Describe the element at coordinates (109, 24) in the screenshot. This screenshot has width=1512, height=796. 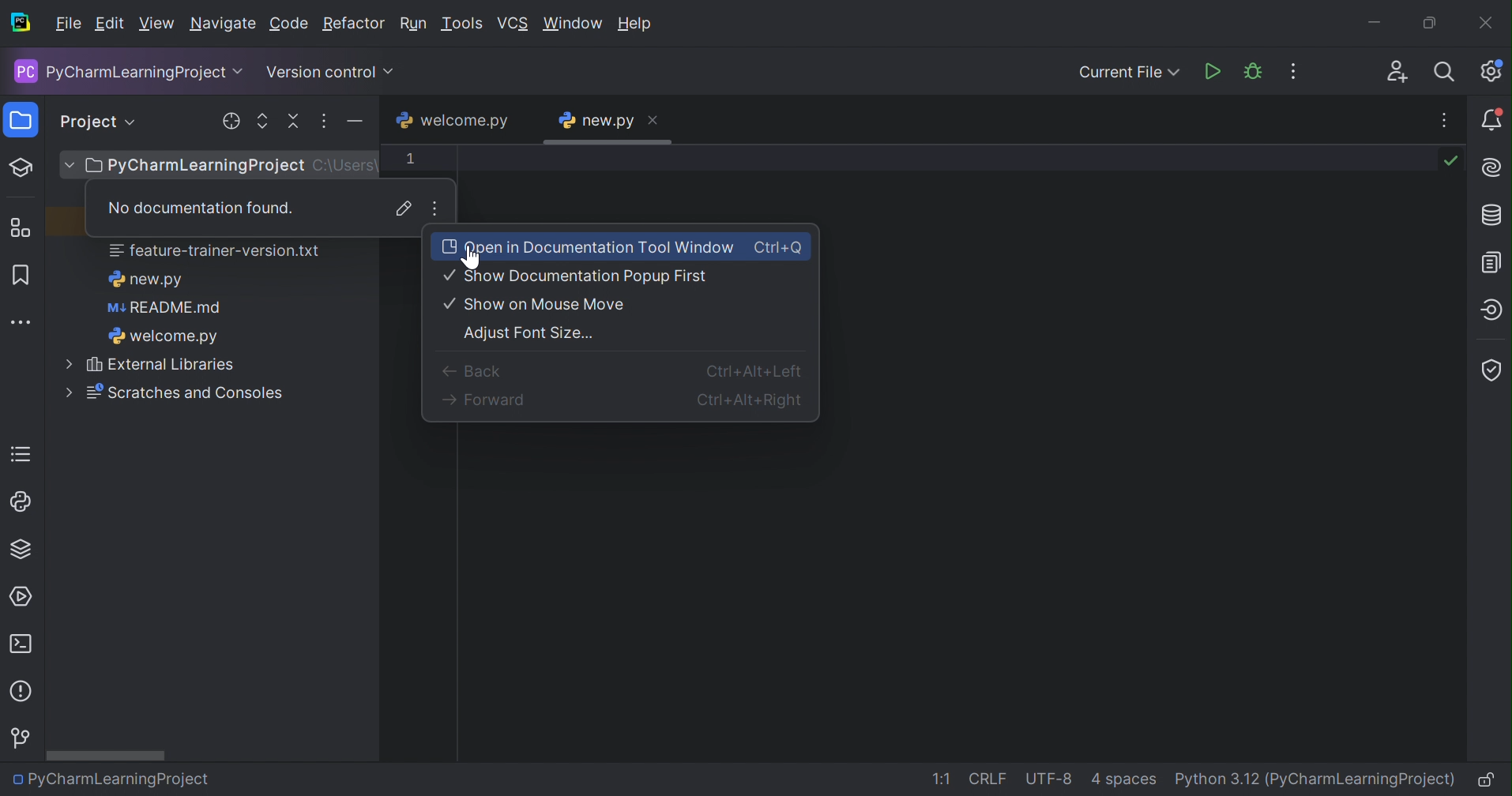
I see `Edit` at that location.